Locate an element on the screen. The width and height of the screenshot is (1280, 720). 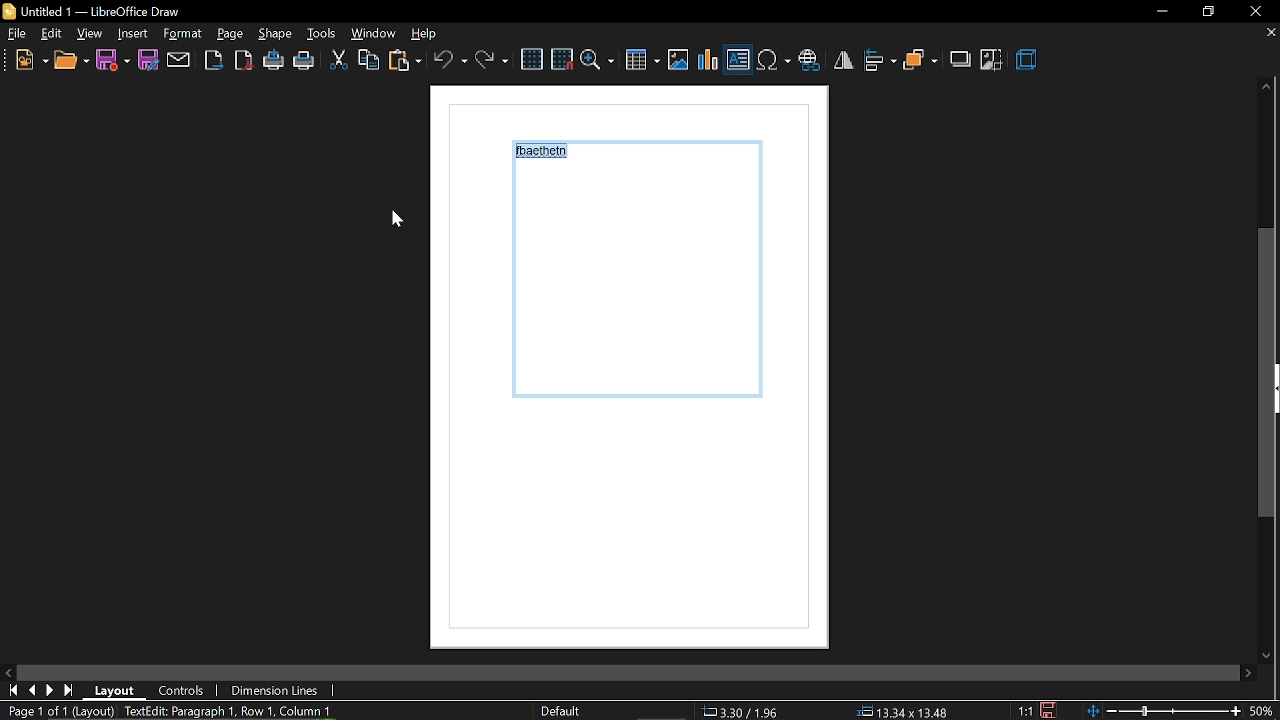
redo is located at coordinates (491, 60).